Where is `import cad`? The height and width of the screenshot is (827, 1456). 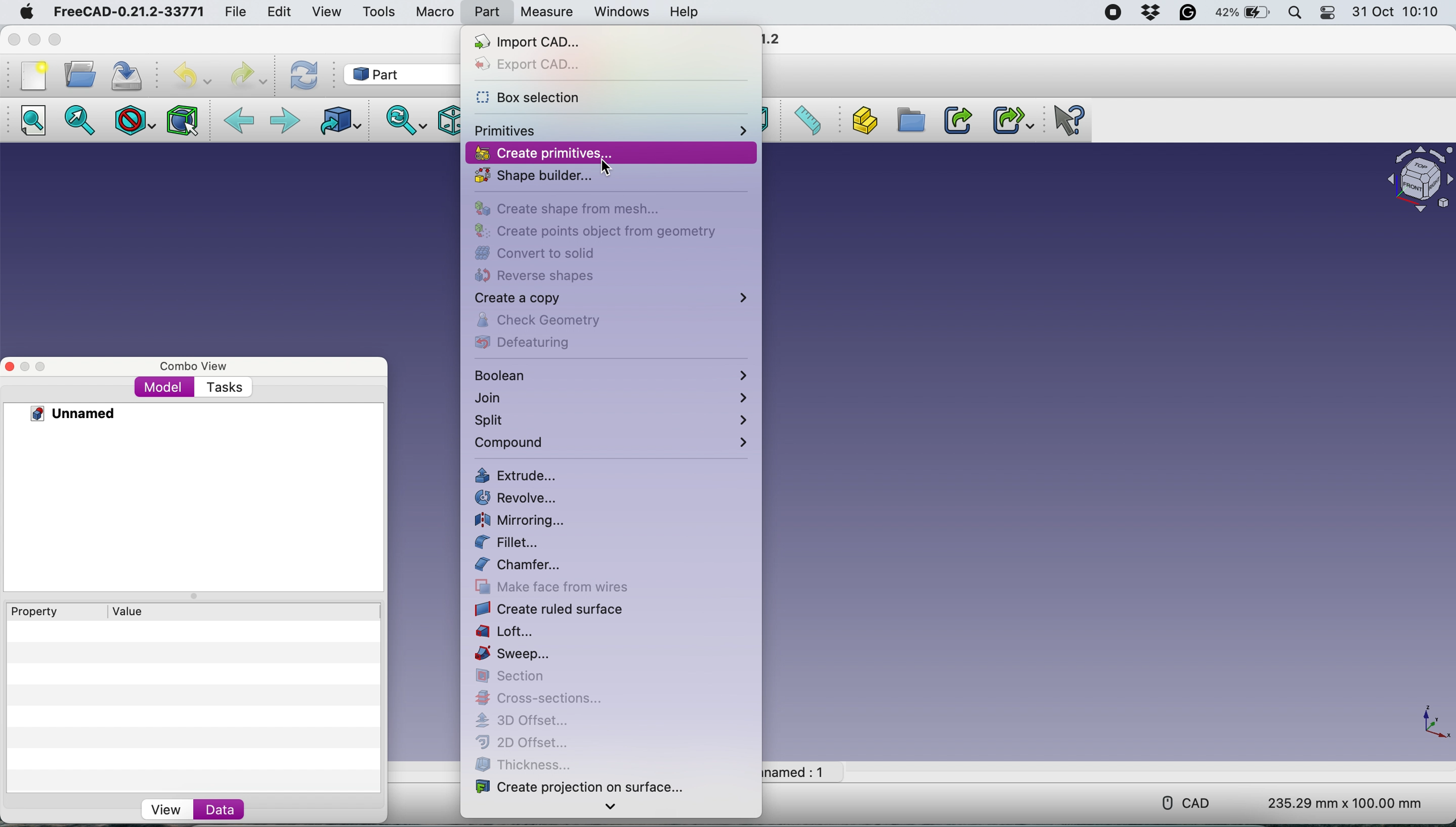
import cad is located at coordinates (526, 41).